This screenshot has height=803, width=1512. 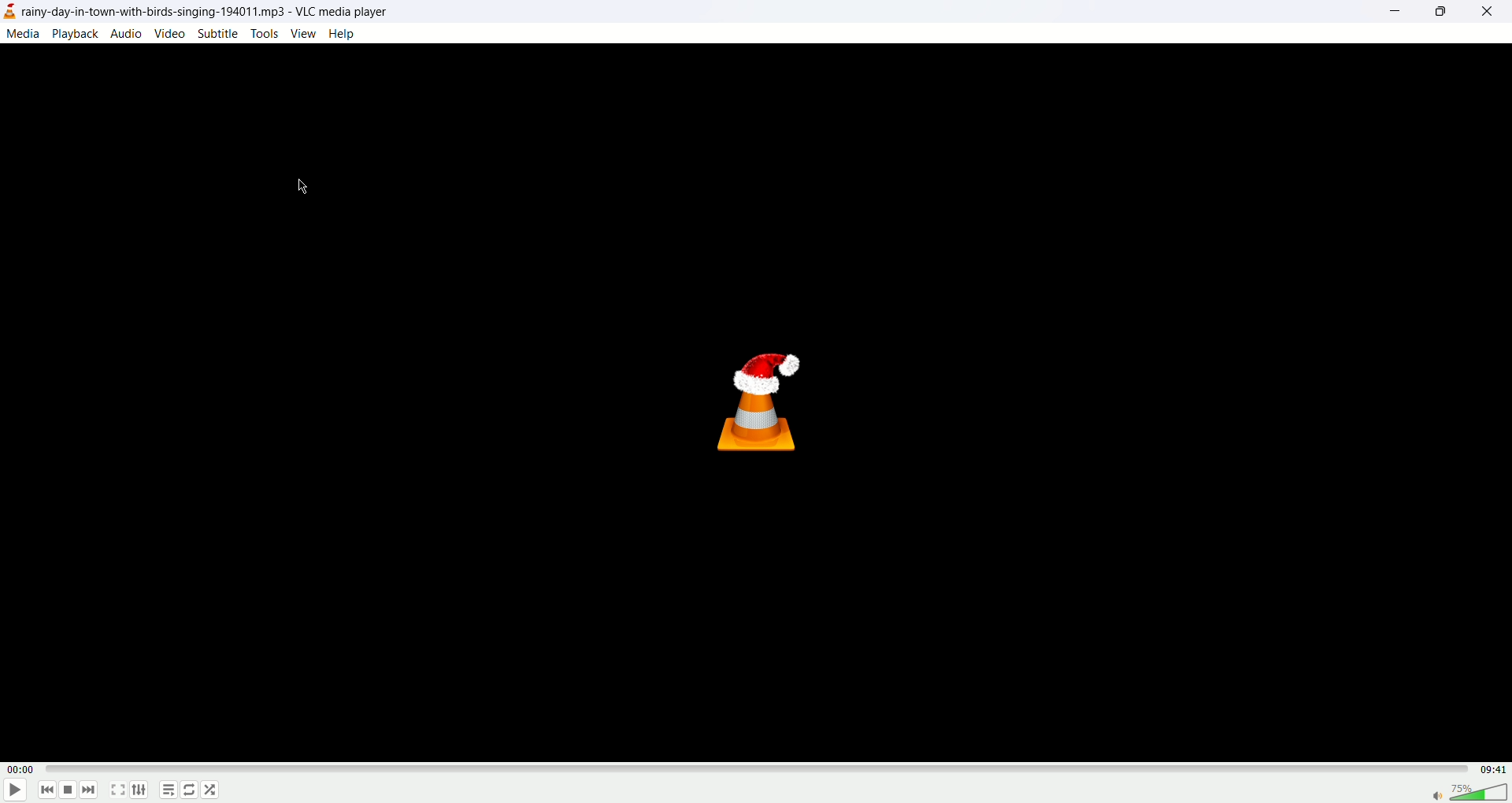 I want to click on maximize, so click(x=1440, y=12).